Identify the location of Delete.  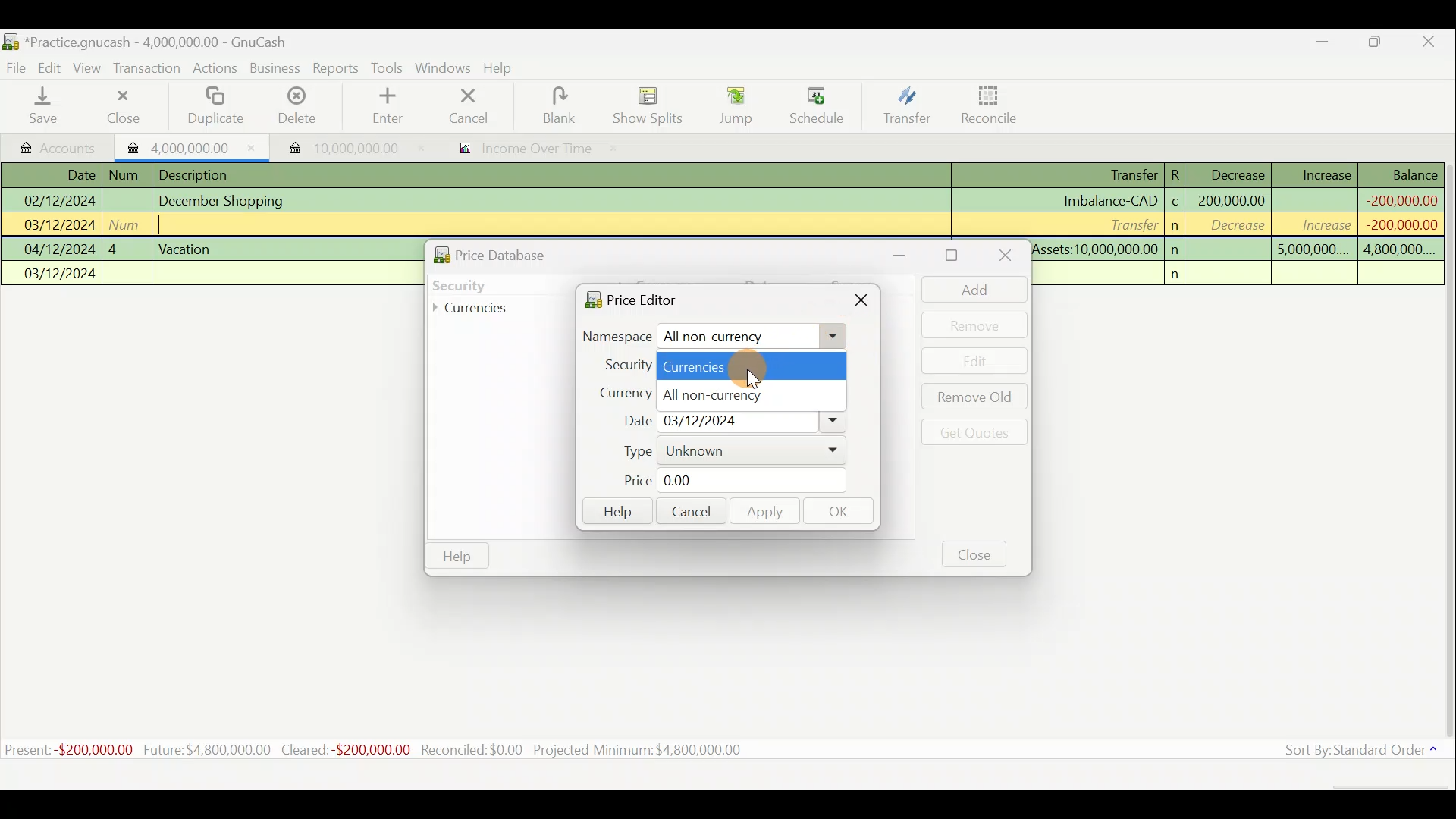
(298, 106).